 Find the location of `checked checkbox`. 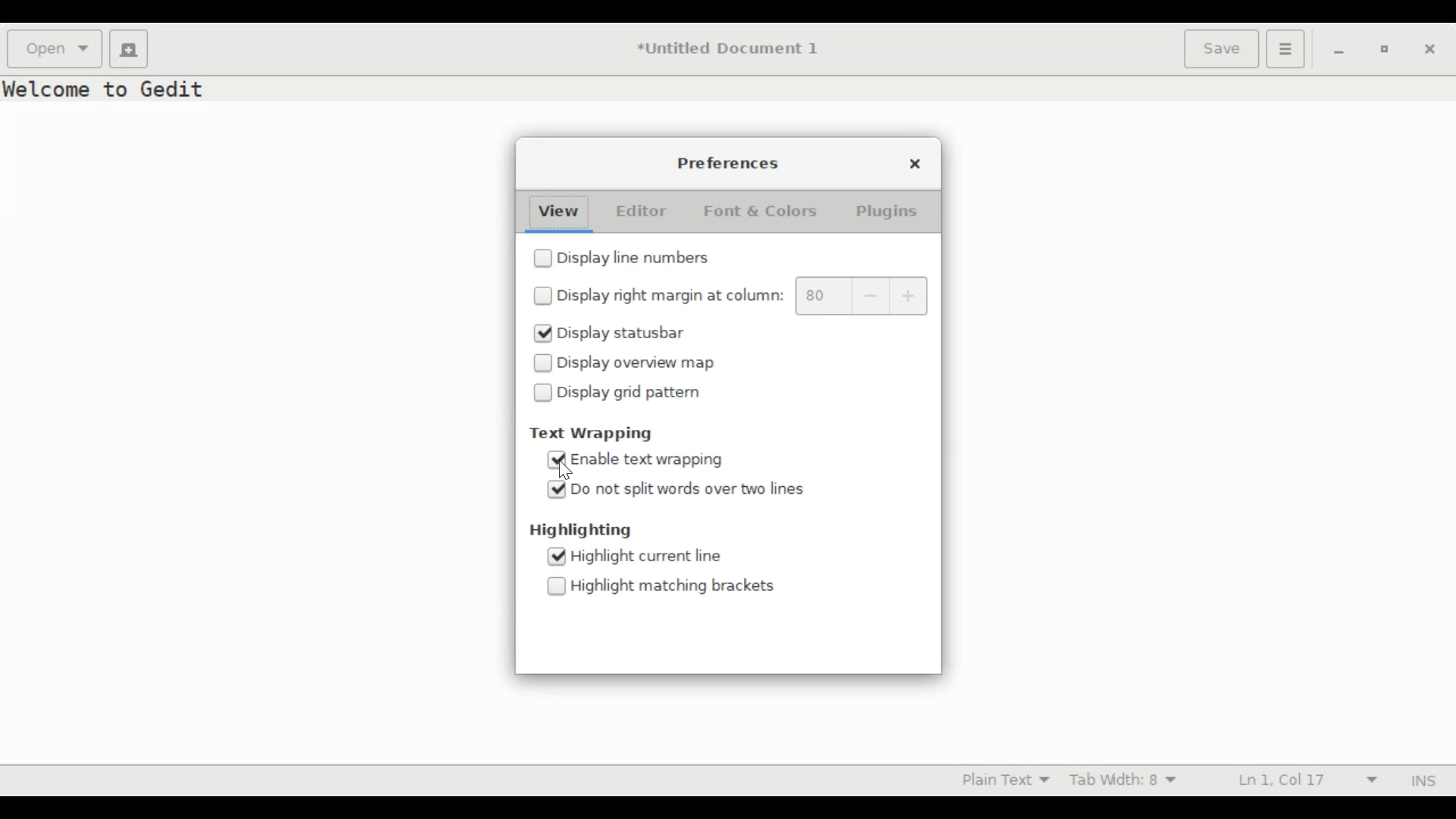

checked checkbox is located at coordinates (558, 460).